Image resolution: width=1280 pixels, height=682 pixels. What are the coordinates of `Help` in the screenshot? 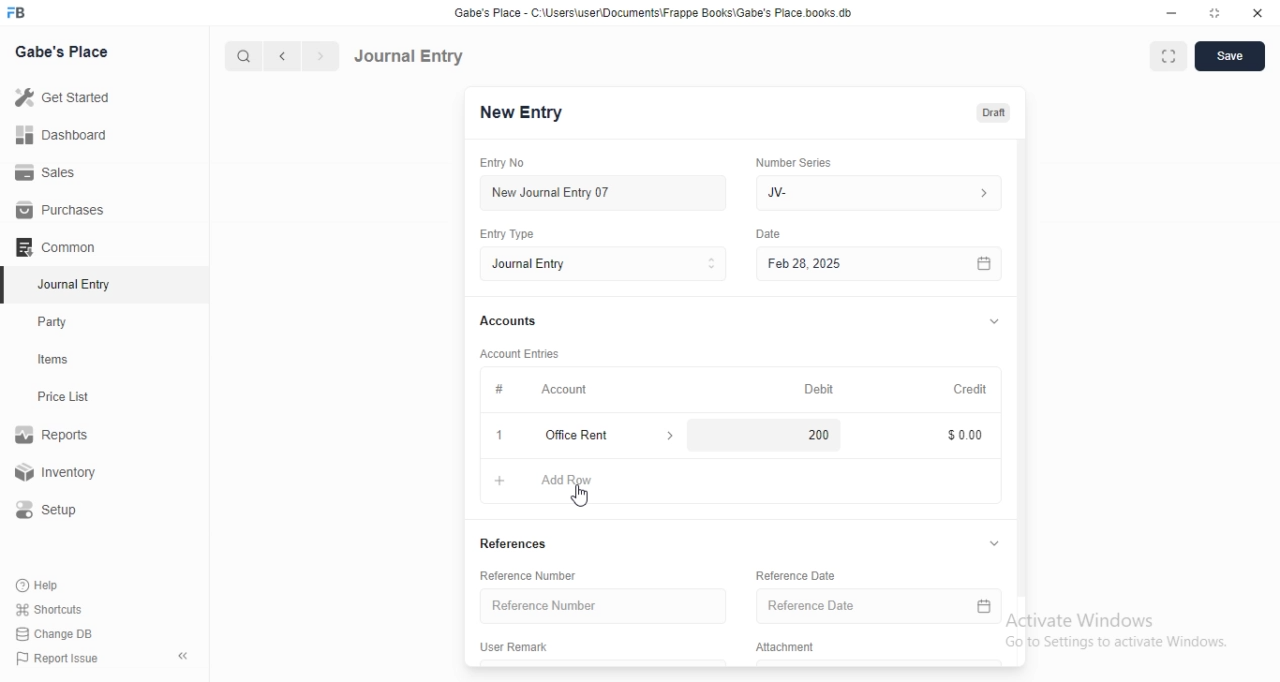 It's located at (41, 585).